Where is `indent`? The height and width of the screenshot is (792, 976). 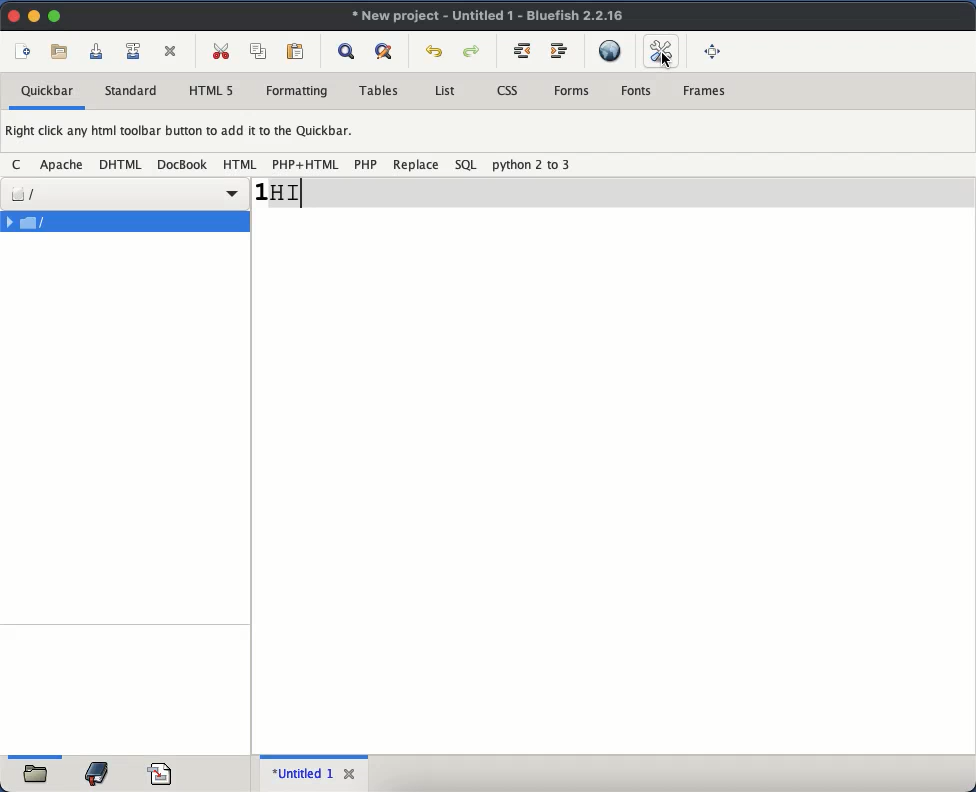 indent is located at coordinates (561, 51).